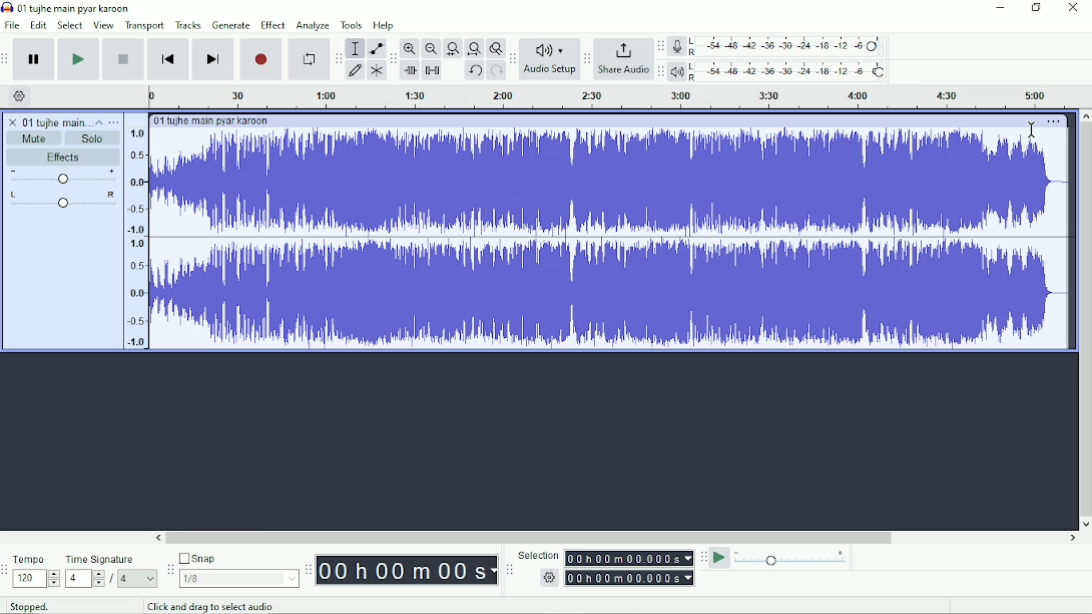 This screenshot has height=614, width=1092. Describe the element at coordinates (20, 95) in the screenshot. I see `Timeline options` at that location.